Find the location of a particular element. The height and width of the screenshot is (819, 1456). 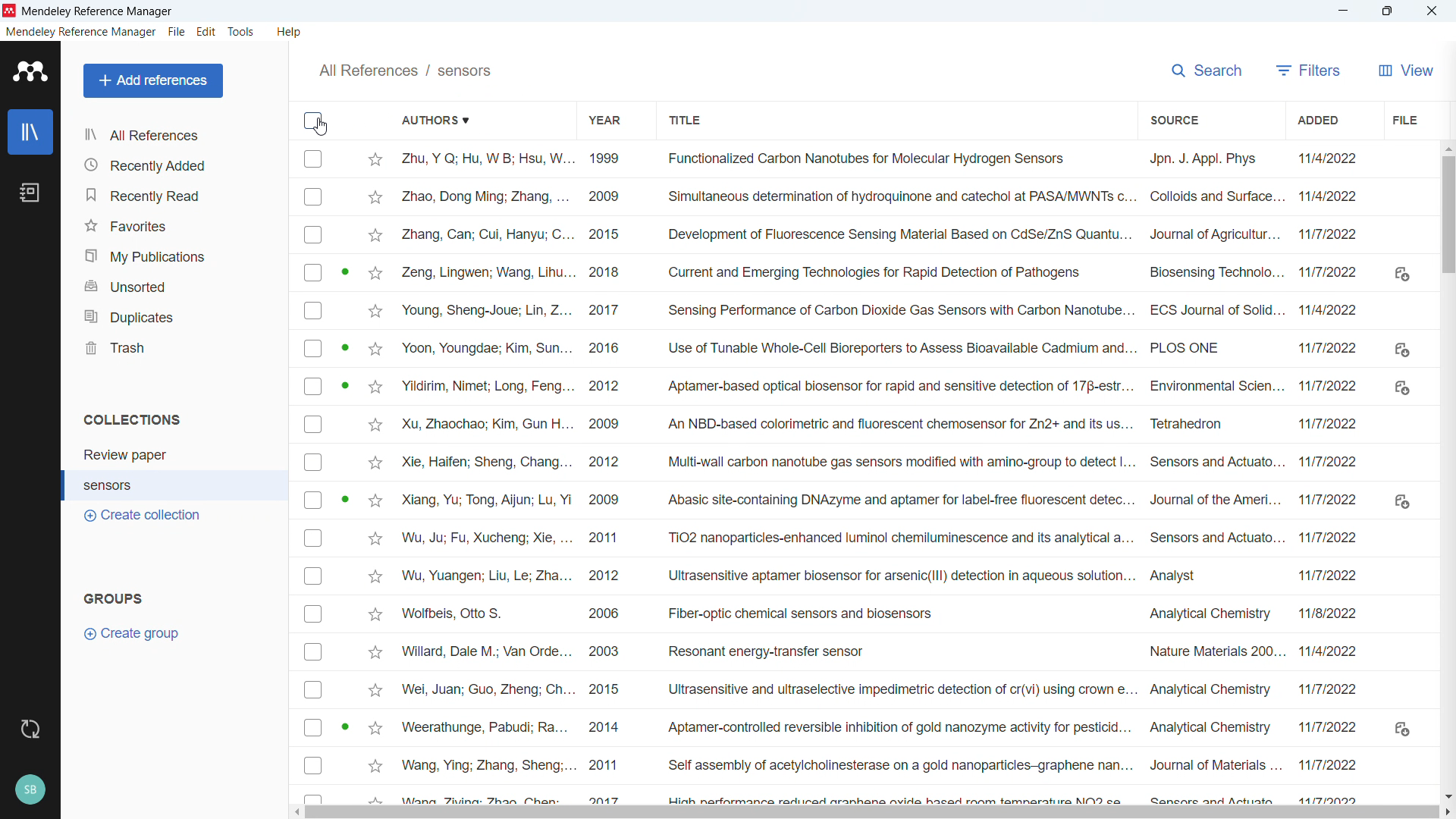

Title of individual entries  is located at coordinates (896, 476).